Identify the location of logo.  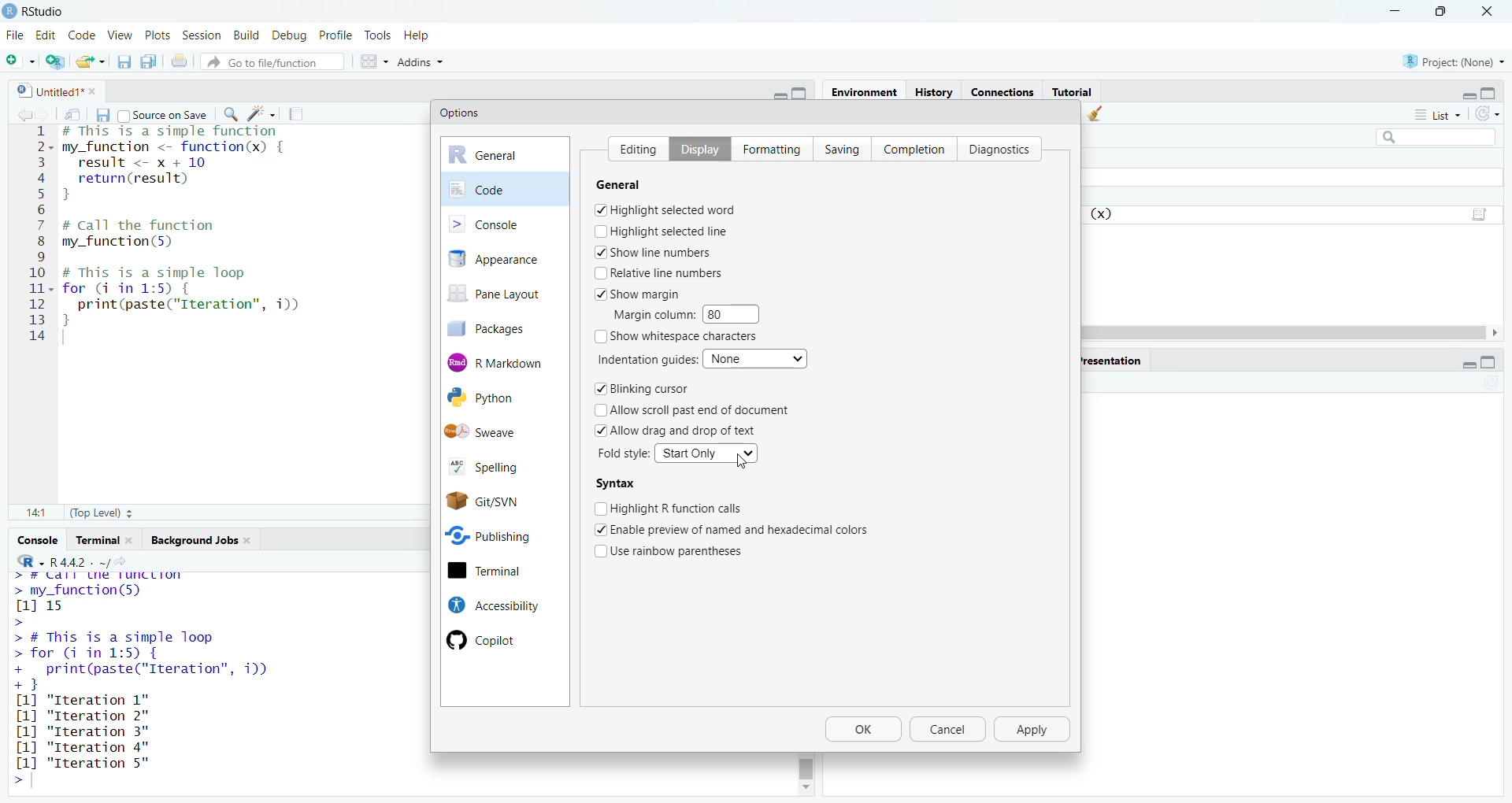
(9, 11).